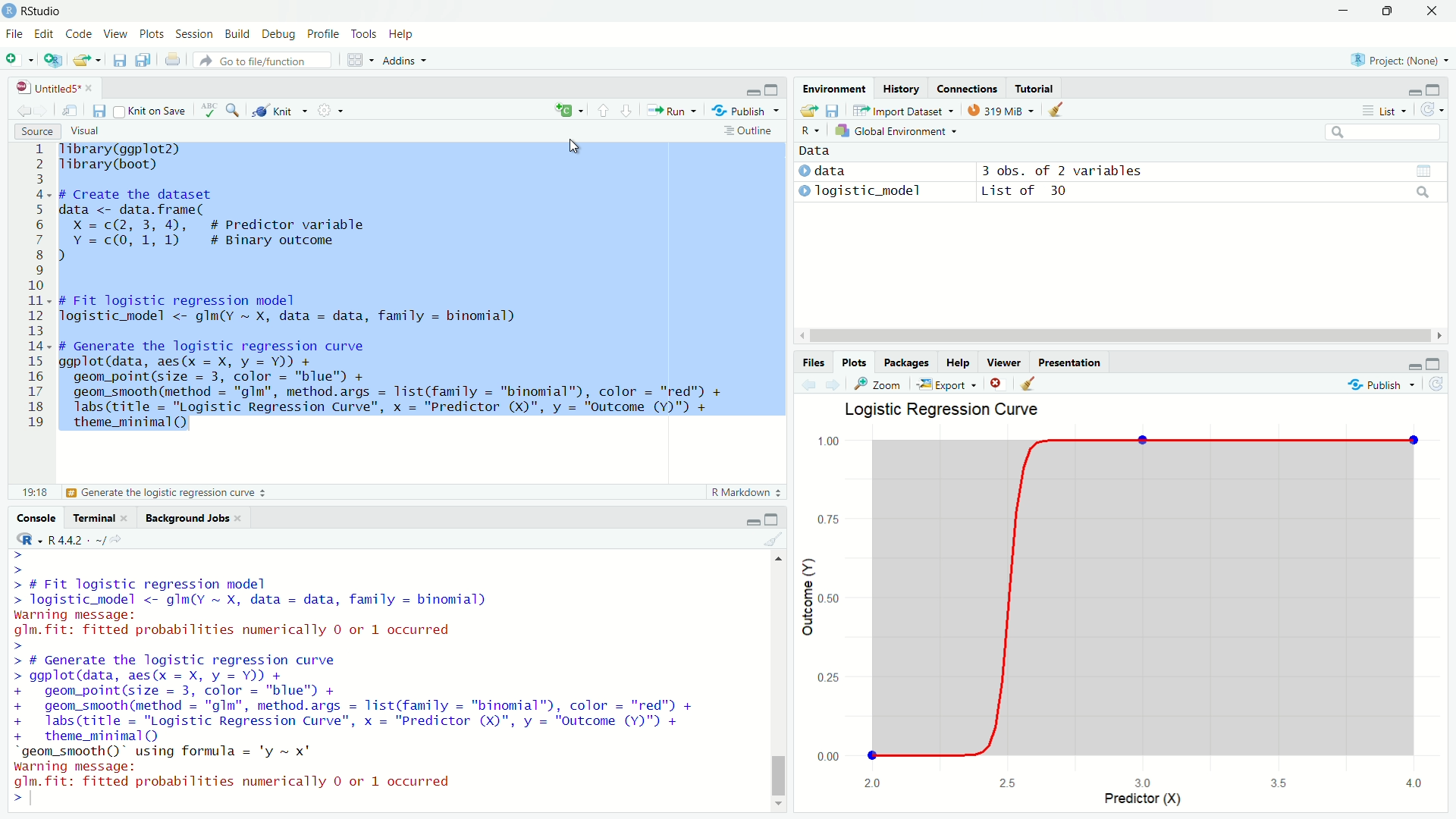 The image size is (1456, 819). I want to click on Data, so click(815, 151).